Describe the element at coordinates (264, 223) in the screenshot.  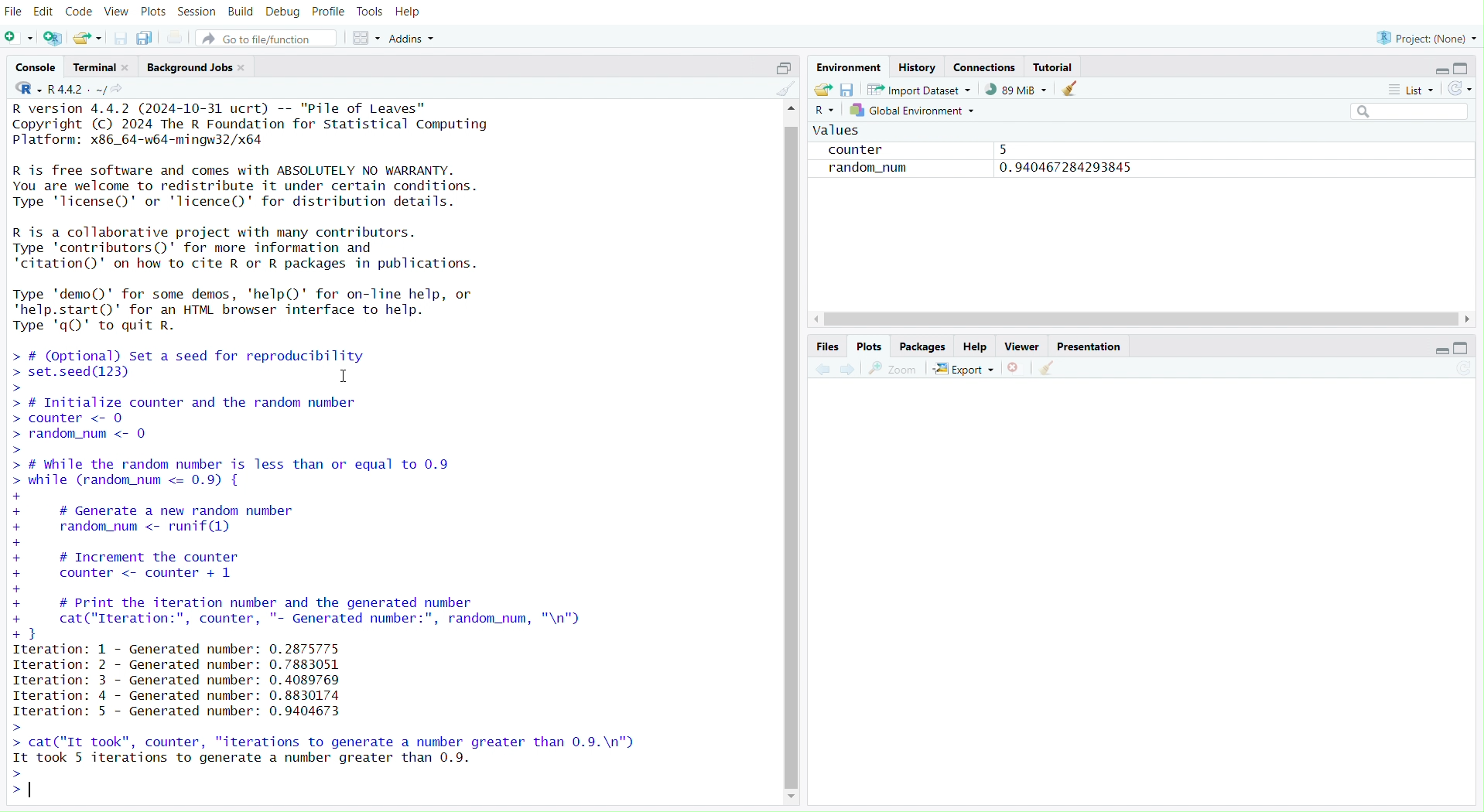
I see `R version 4.4.2 (2024-10-31 ucrt) -- "Pile of Leaves”
Copyright (C) 2024 The R Foundation for Statistical Computing
Platform: x86_64-w64-mingw32/x64

R is free software and comes with ABSOLUTELY NO WARRANTY.
You are welcome to redistribute it under certain conditions.
Type 'license()' or 'licence()' for distribution details.

R is a collaborative project with many contributors.

Type 'contributors()' for more information and

'citation()' on how to cite R or R packages in publications.
Type 'demo()' for some demos, 'help()' for on-Tine help, or
'help.start()"' for an HTML browser interface to help.

Twoe 'a()' to auit R.` at that location.